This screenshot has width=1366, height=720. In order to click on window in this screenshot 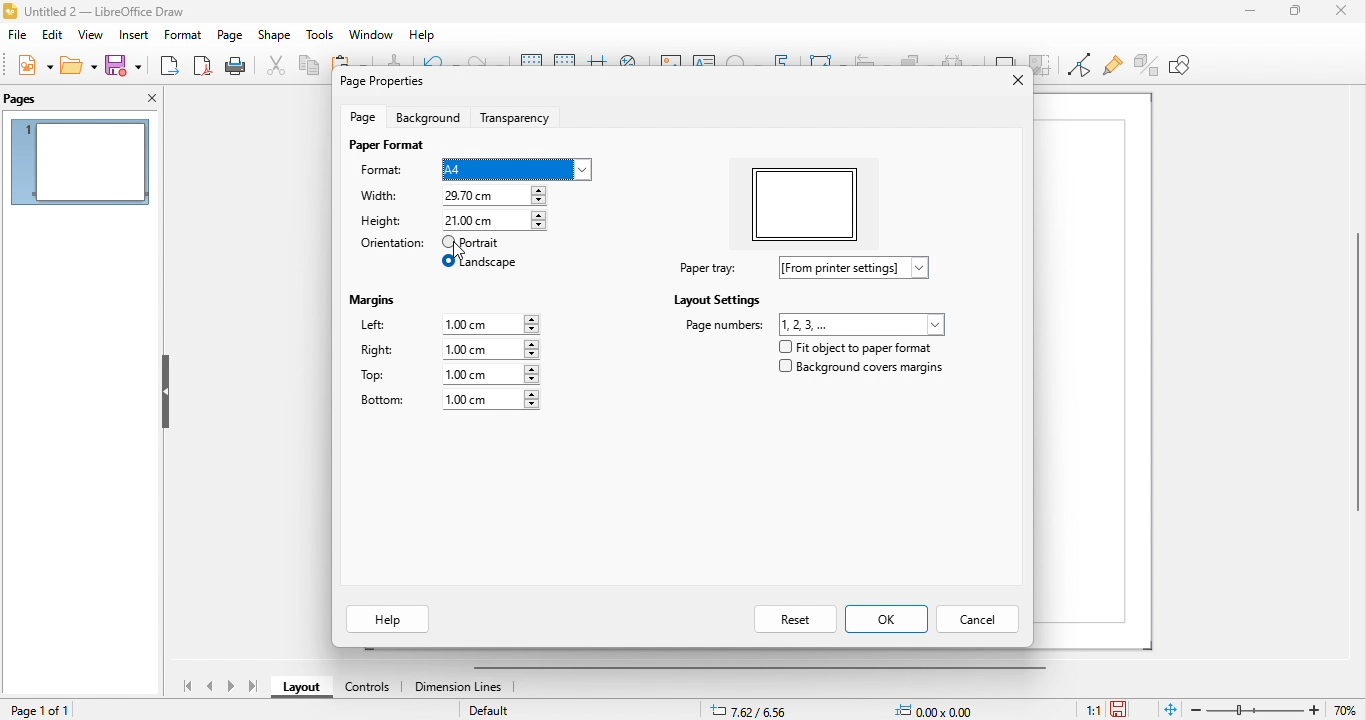, I will do `click(372, 35)`.